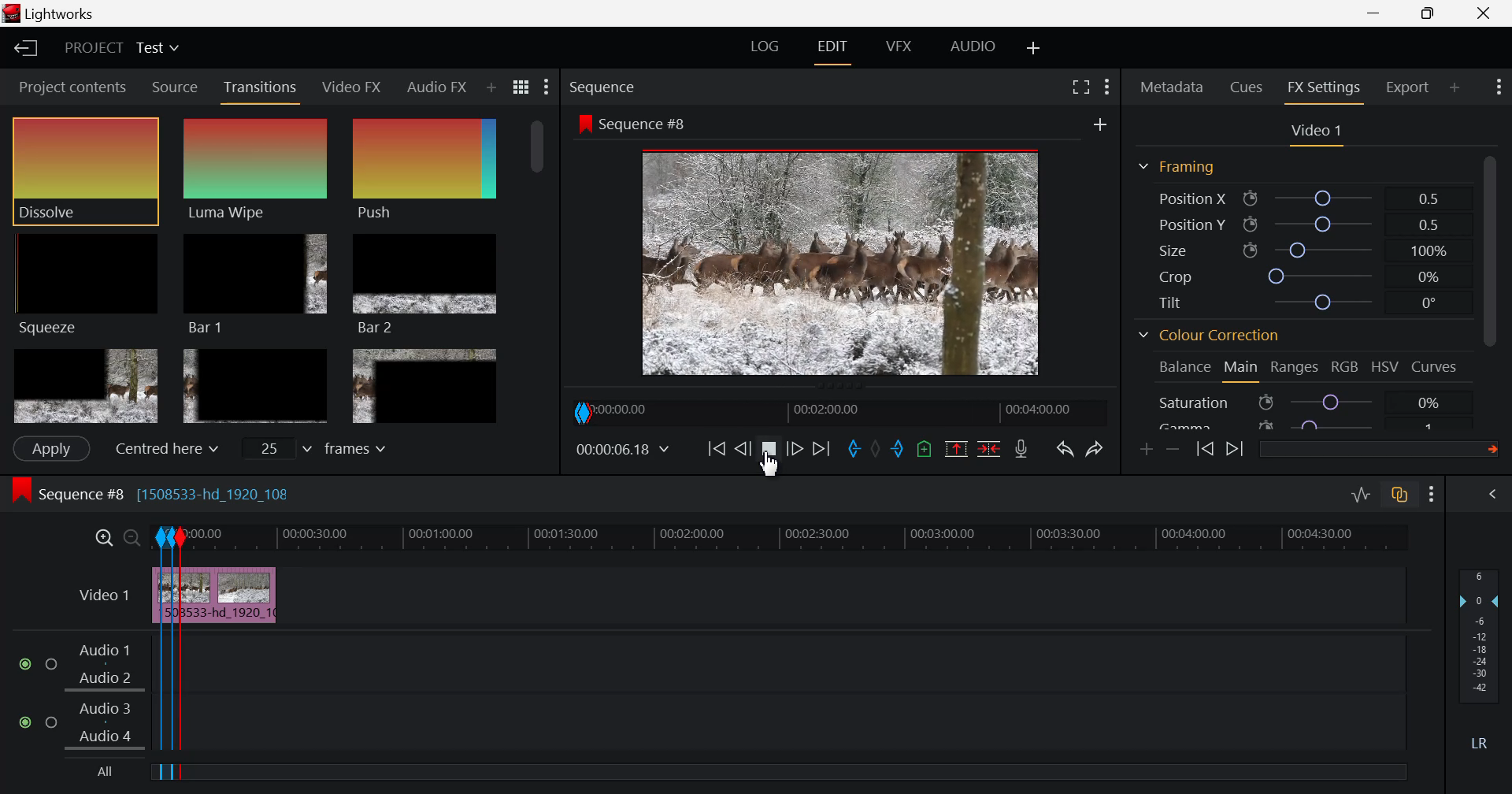 This screenshot has height=794, width=1512. What do you see at coordinates (859, 537) in the screenshot?
I see `Project Timeline` at bounding box center [859, 537].